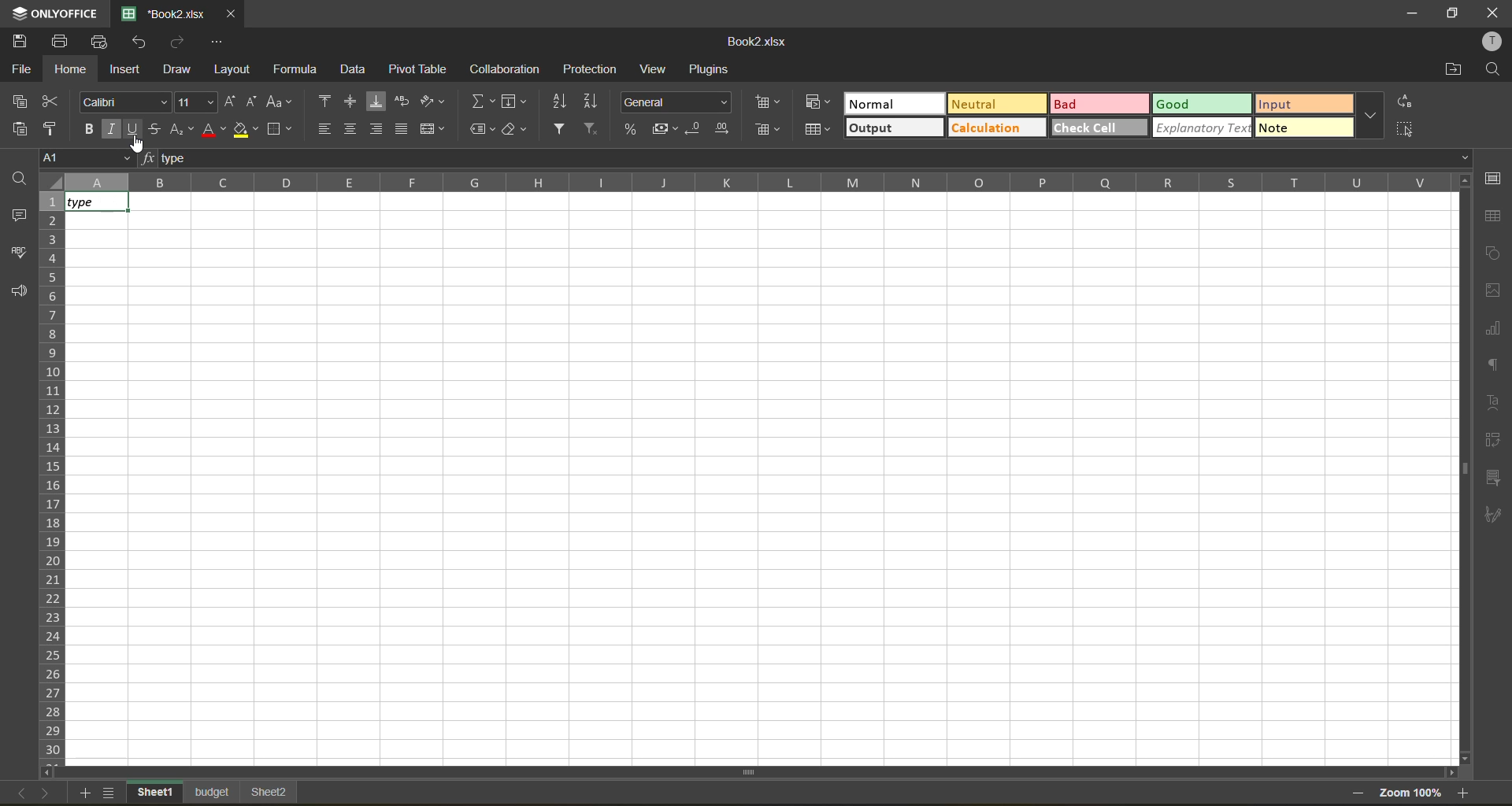  I want to click on note, so click(1305, 128).